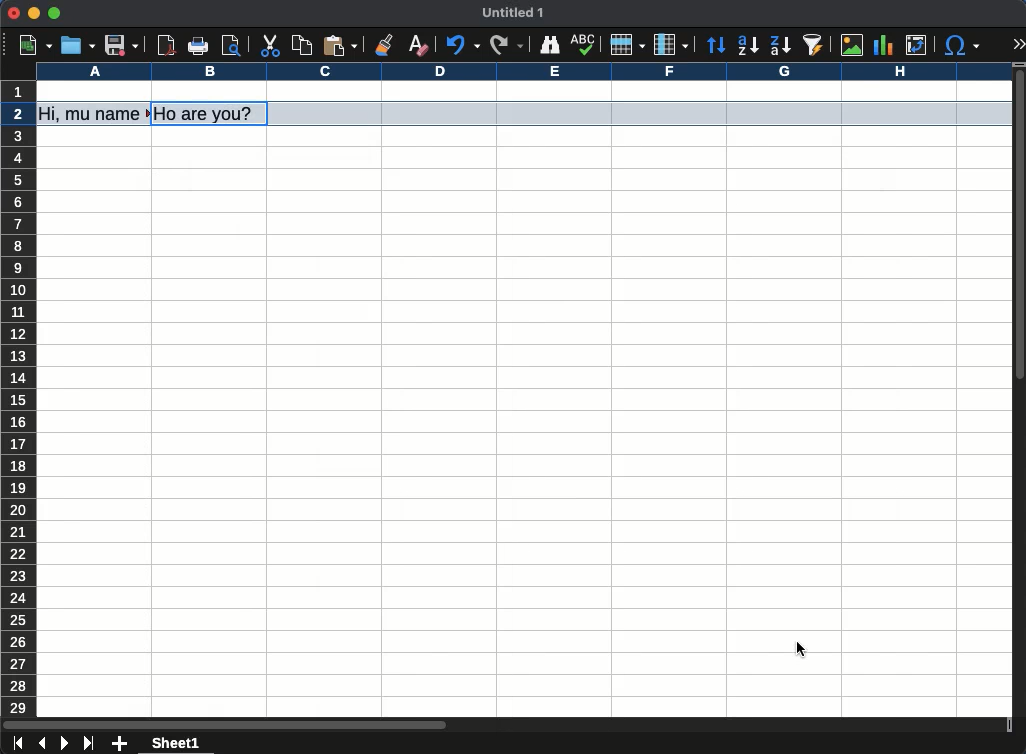 The width and height of the screenshot is (1026, 754). Describe the element at coordinates (177, 744) in the screenshot. I see `sheet 1` at that location.